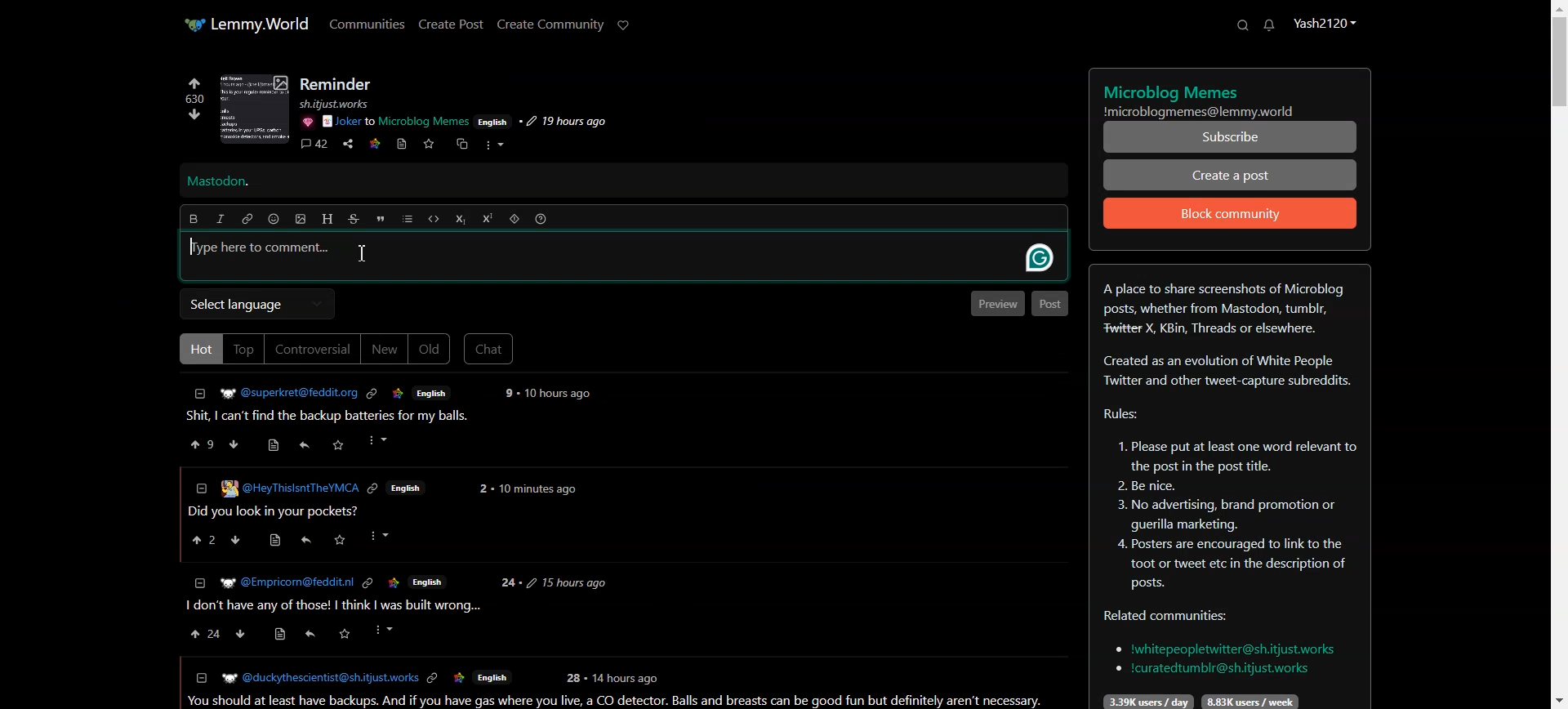 The height and width of the screenshot is (709, 1568). What do you see at coordinates (277, 443) in the screenshot?
I see `=)` at bounding box center [277, 443].